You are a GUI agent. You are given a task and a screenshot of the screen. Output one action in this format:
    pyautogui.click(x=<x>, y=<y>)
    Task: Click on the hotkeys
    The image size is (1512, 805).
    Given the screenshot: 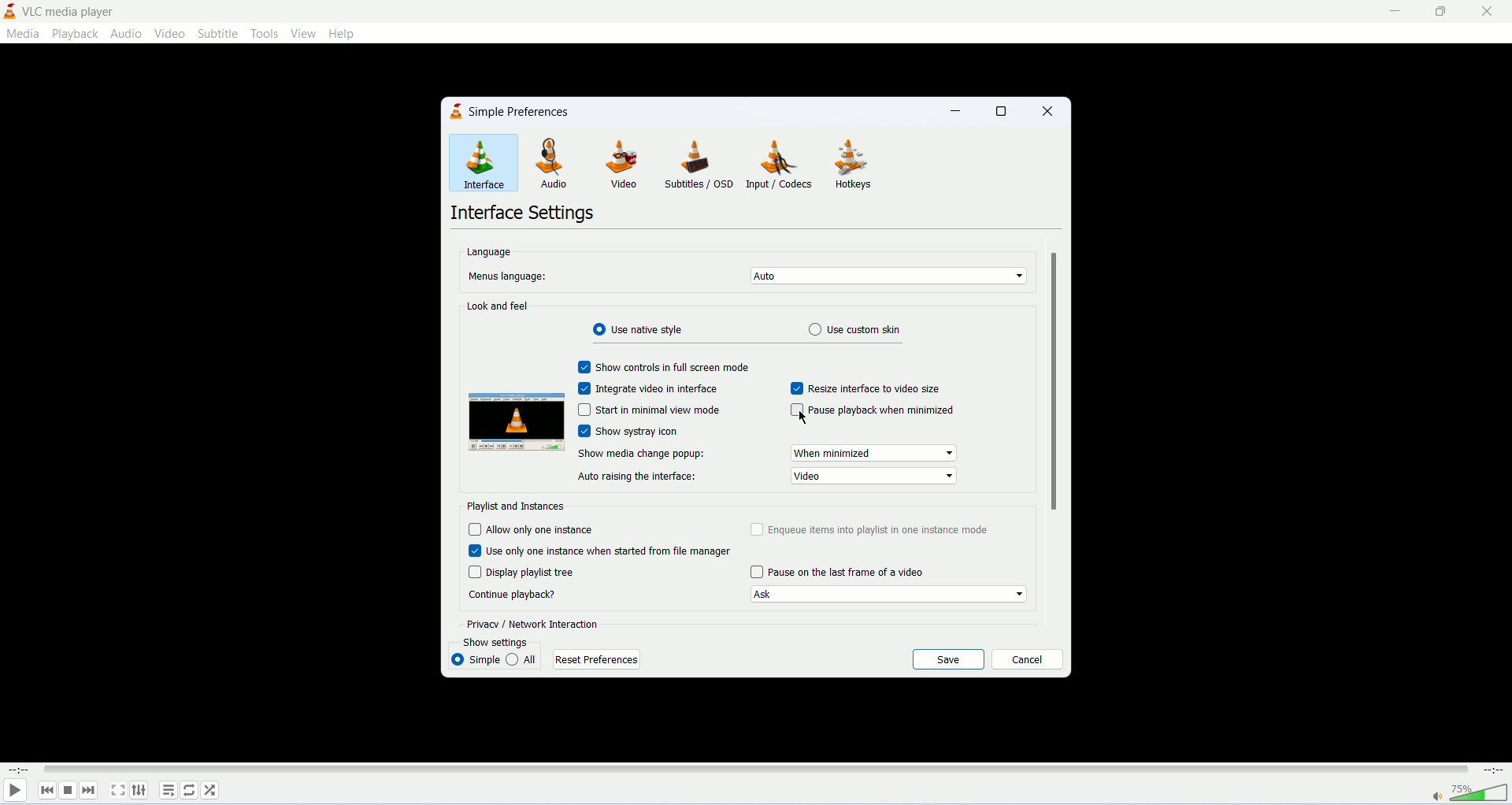 What is the action you would take?
    pyautogui.click(x=852, y=167)
    